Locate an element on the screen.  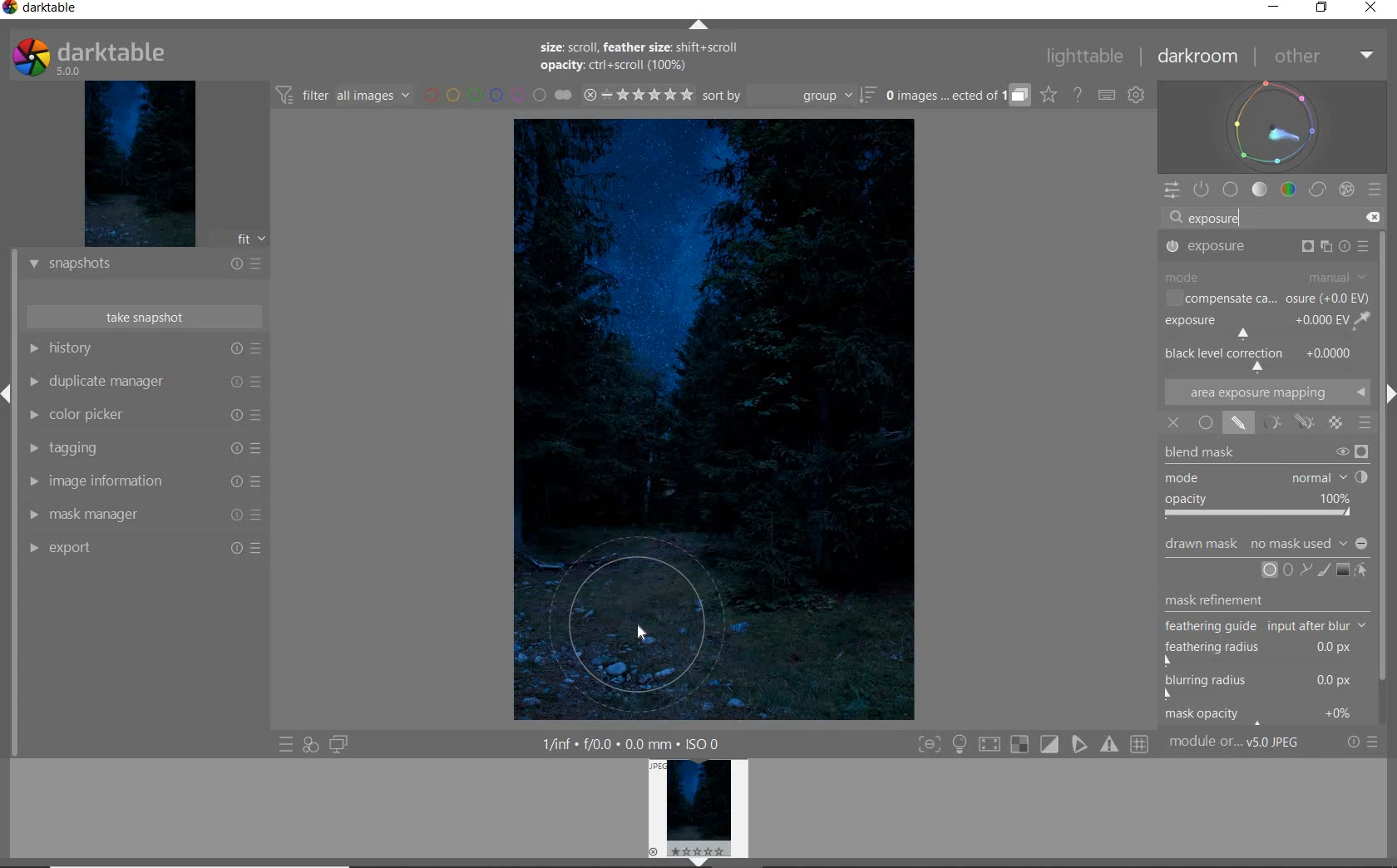
TAGGING is located at coordinates (142, 448).